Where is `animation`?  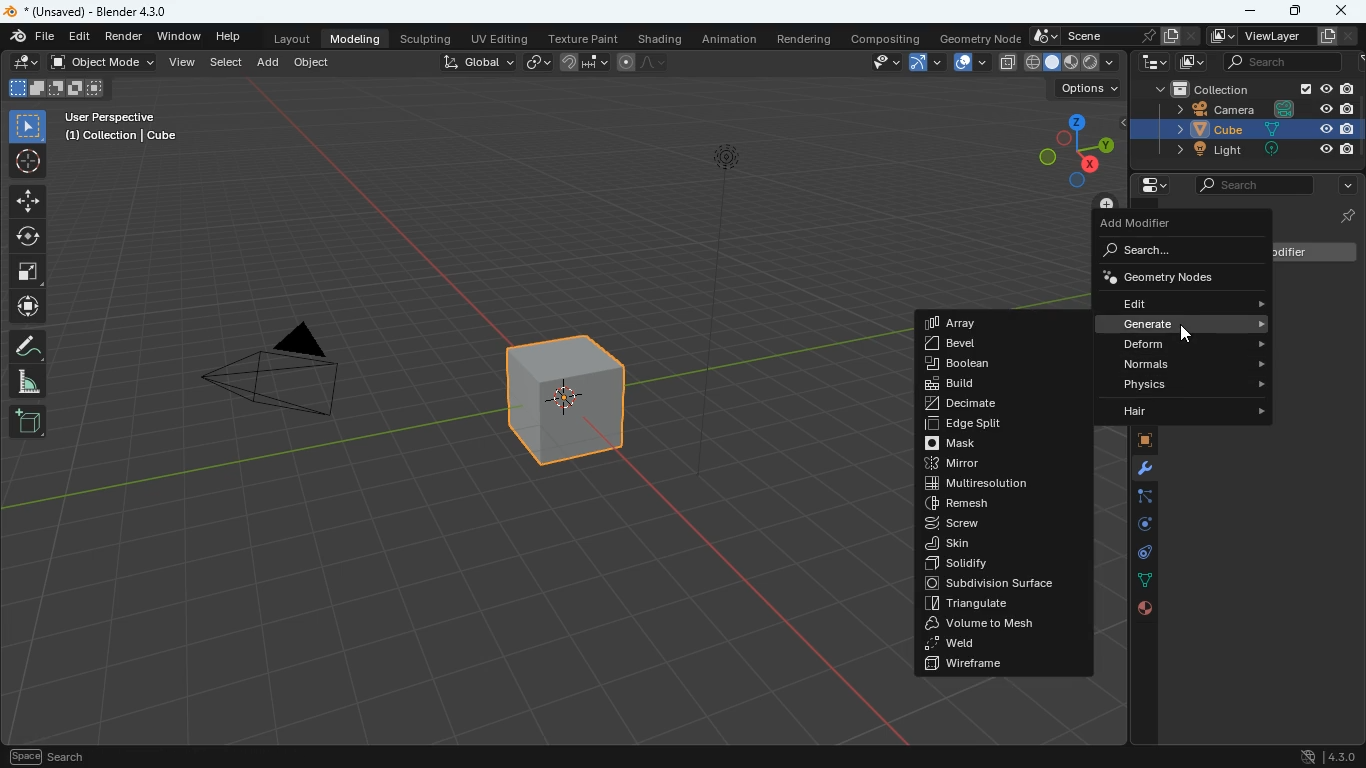 animation is located at coordinates (732, 39).